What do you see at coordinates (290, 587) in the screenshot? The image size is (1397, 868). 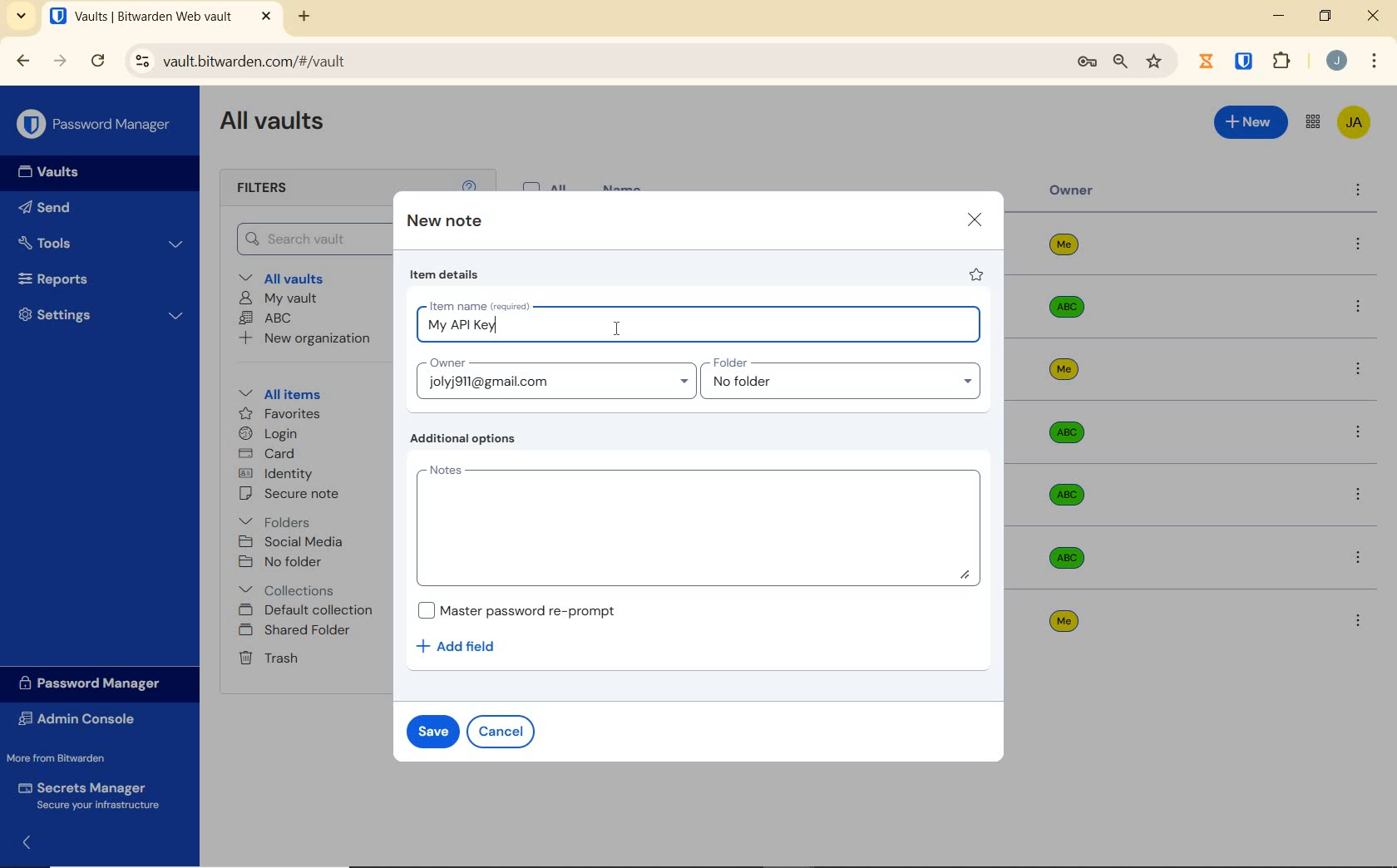 I see `Collections` at bounding box center [290, 587].